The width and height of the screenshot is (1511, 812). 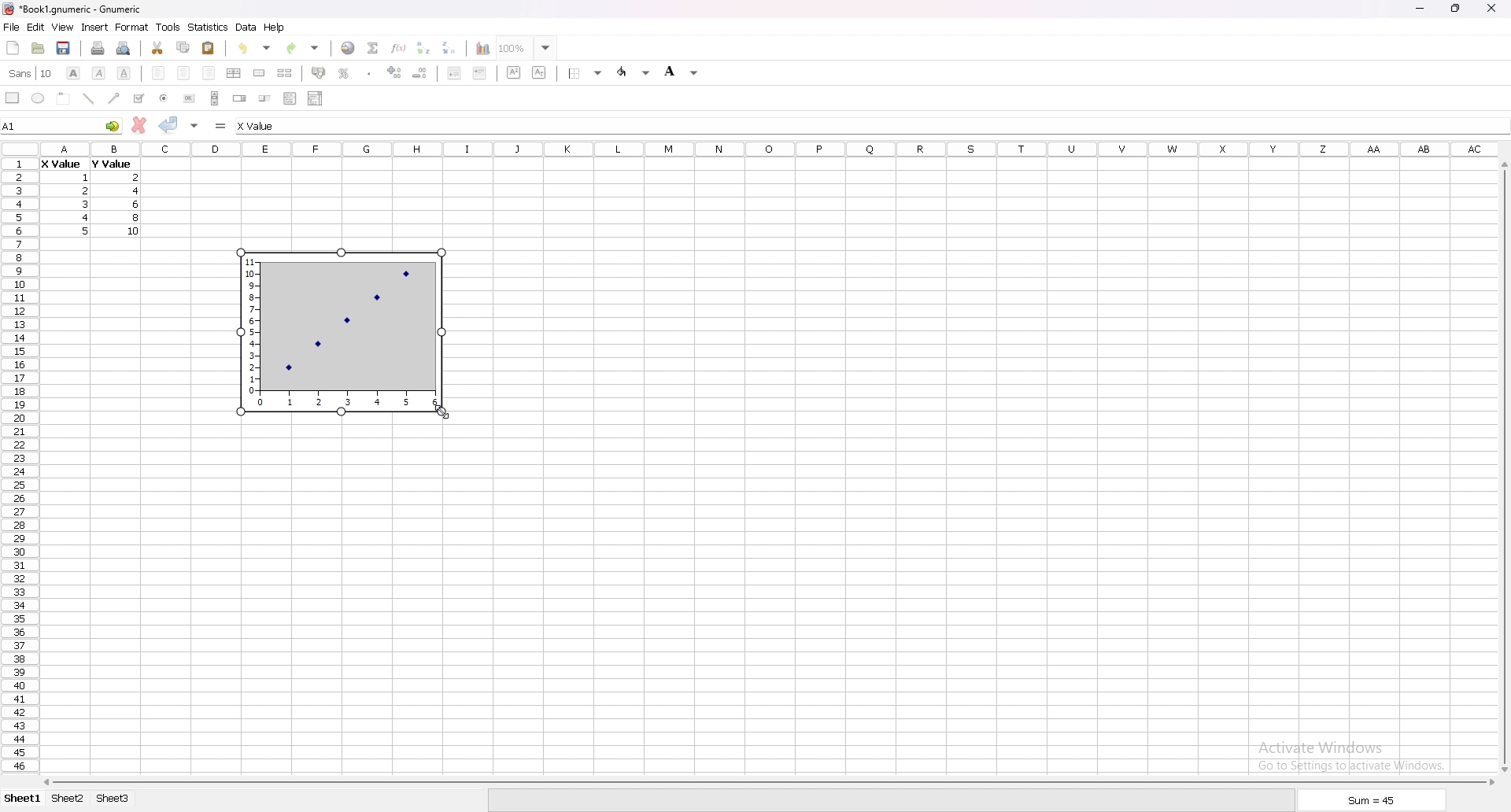 What do you see at coordinates (222, 125) in the screenshot?
I see `formula` at bounding box center [222, 125].